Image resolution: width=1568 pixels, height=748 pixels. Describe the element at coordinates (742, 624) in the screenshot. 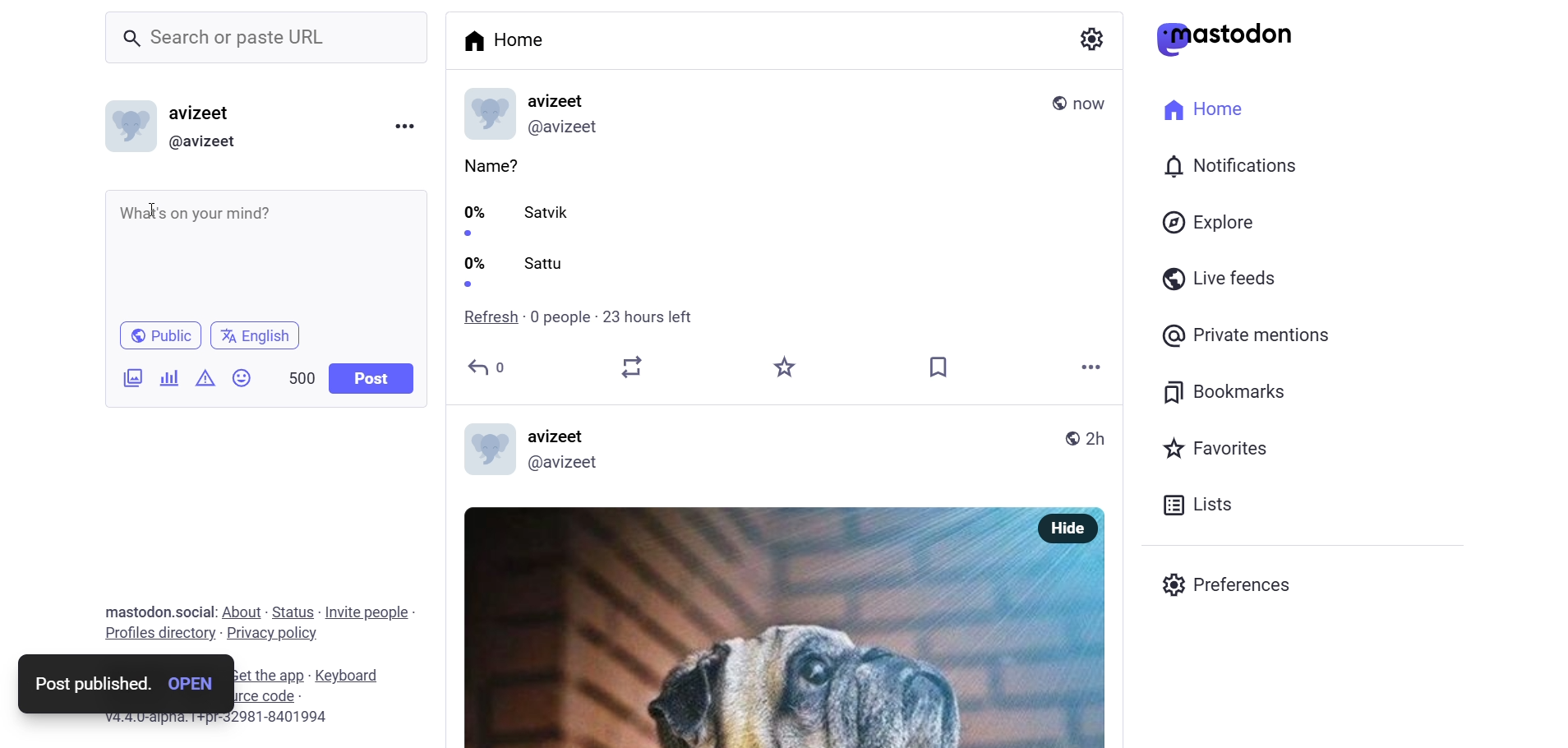

I see `post image` at that location.